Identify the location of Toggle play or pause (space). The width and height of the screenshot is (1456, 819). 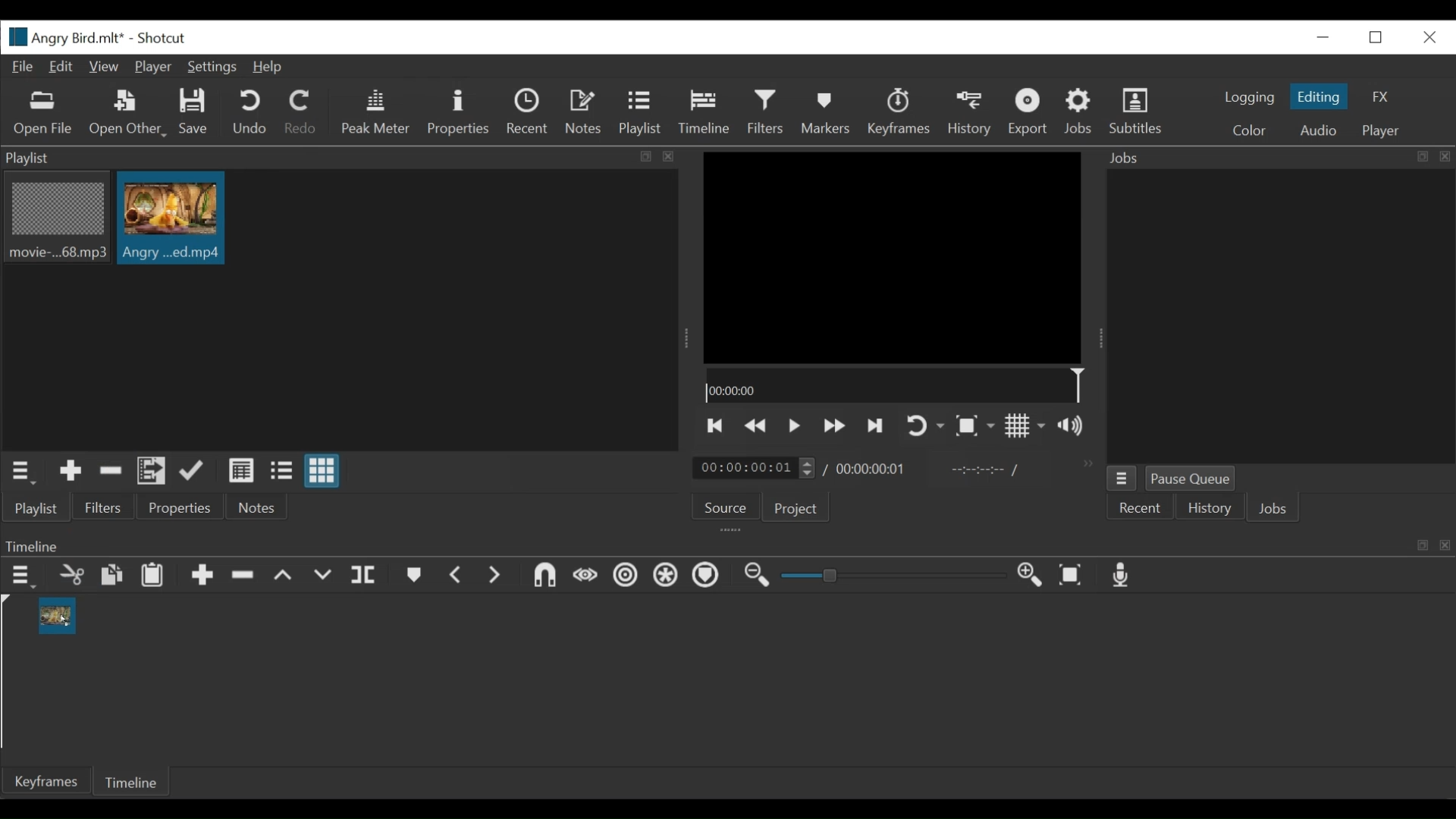
(794, 426).